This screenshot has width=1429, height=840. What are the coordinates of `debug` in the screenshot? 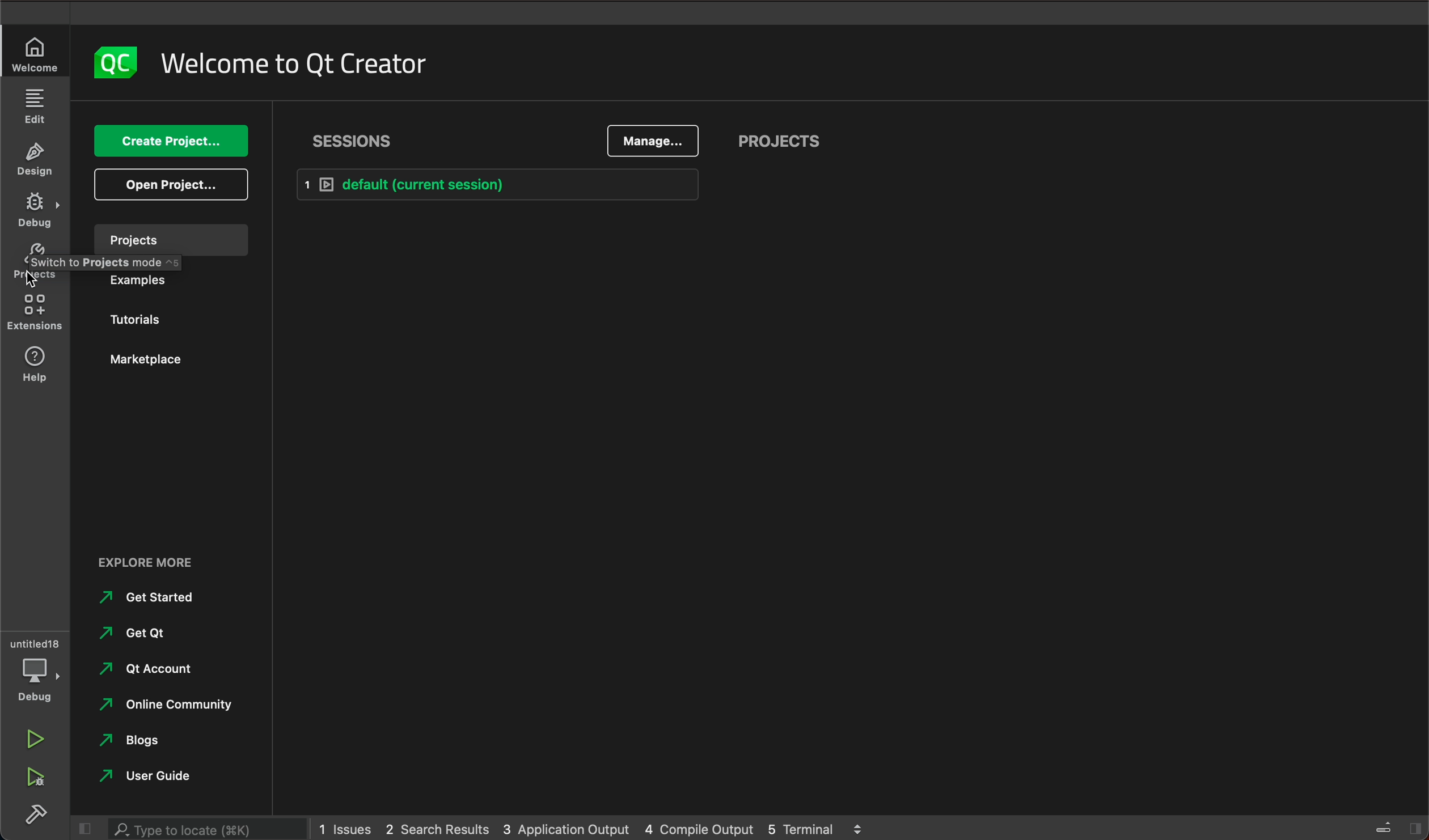 It's located at (40, 680).